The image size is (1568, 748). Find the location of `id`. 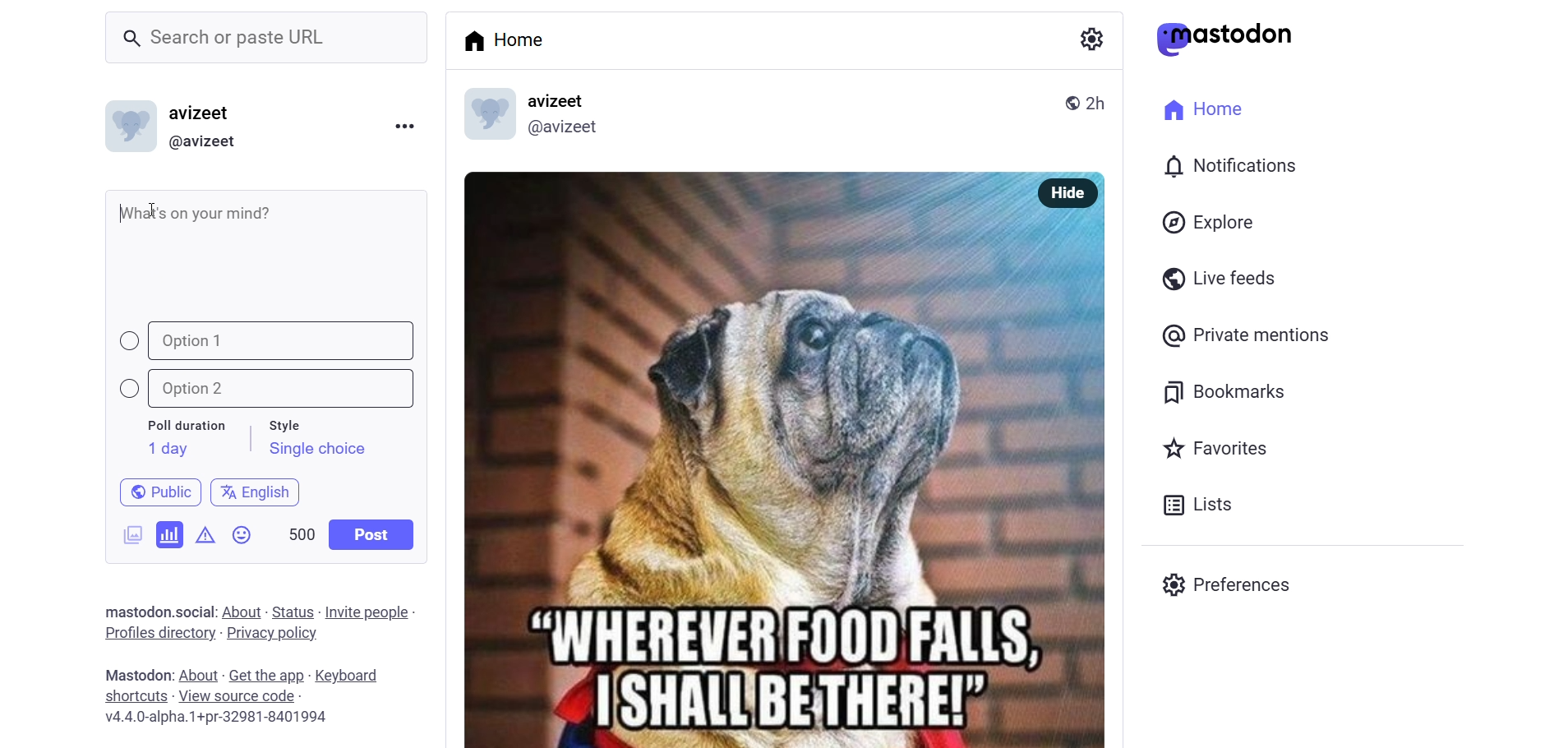

id is located at coordinates (126, 130).